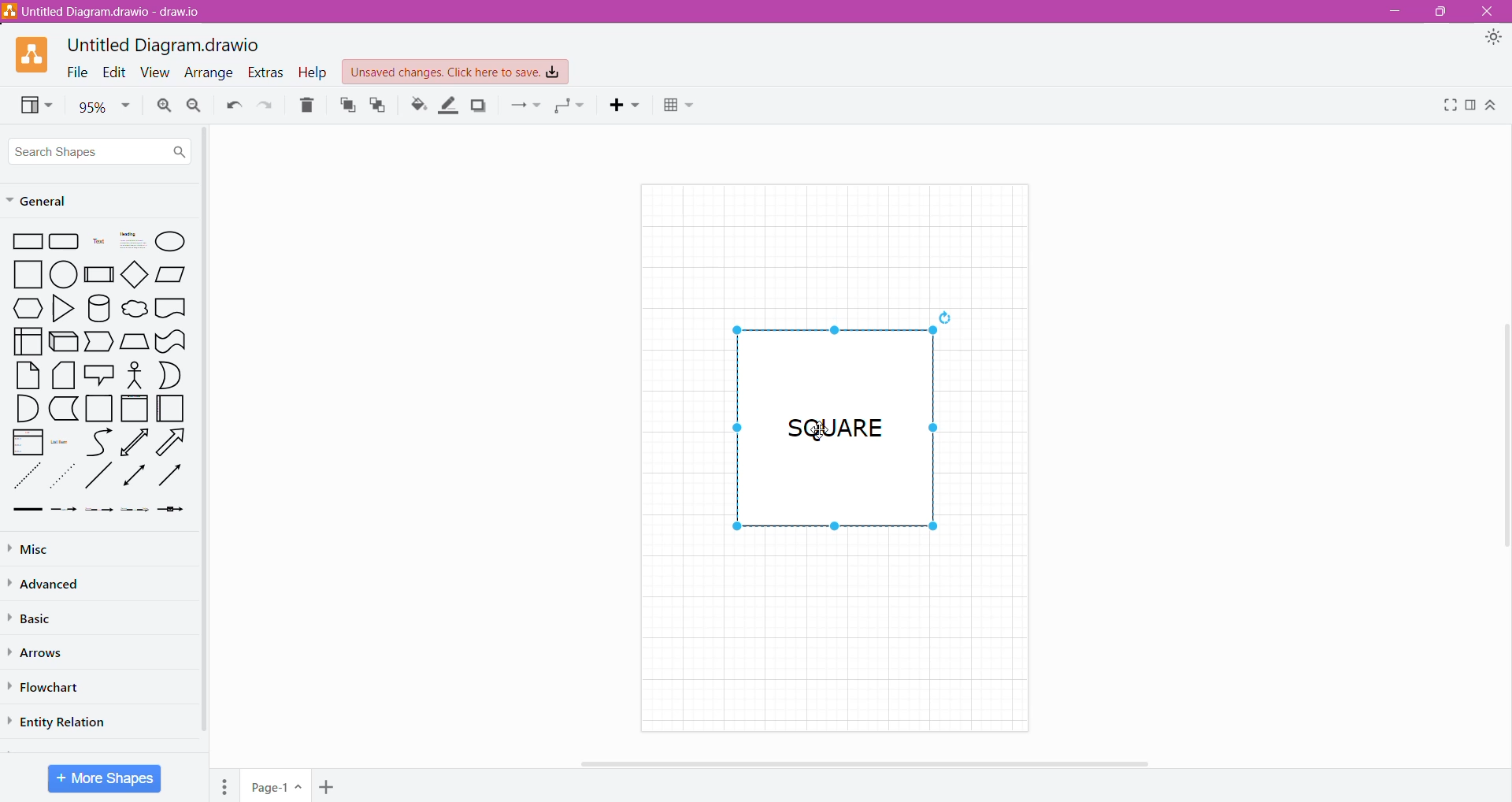 Image resolution: width=1512 pixels, height=802 pixels. What do you see at coordinates (134, 307) in the screenshot?
I see `cloud` at bounding box center [134, 307].